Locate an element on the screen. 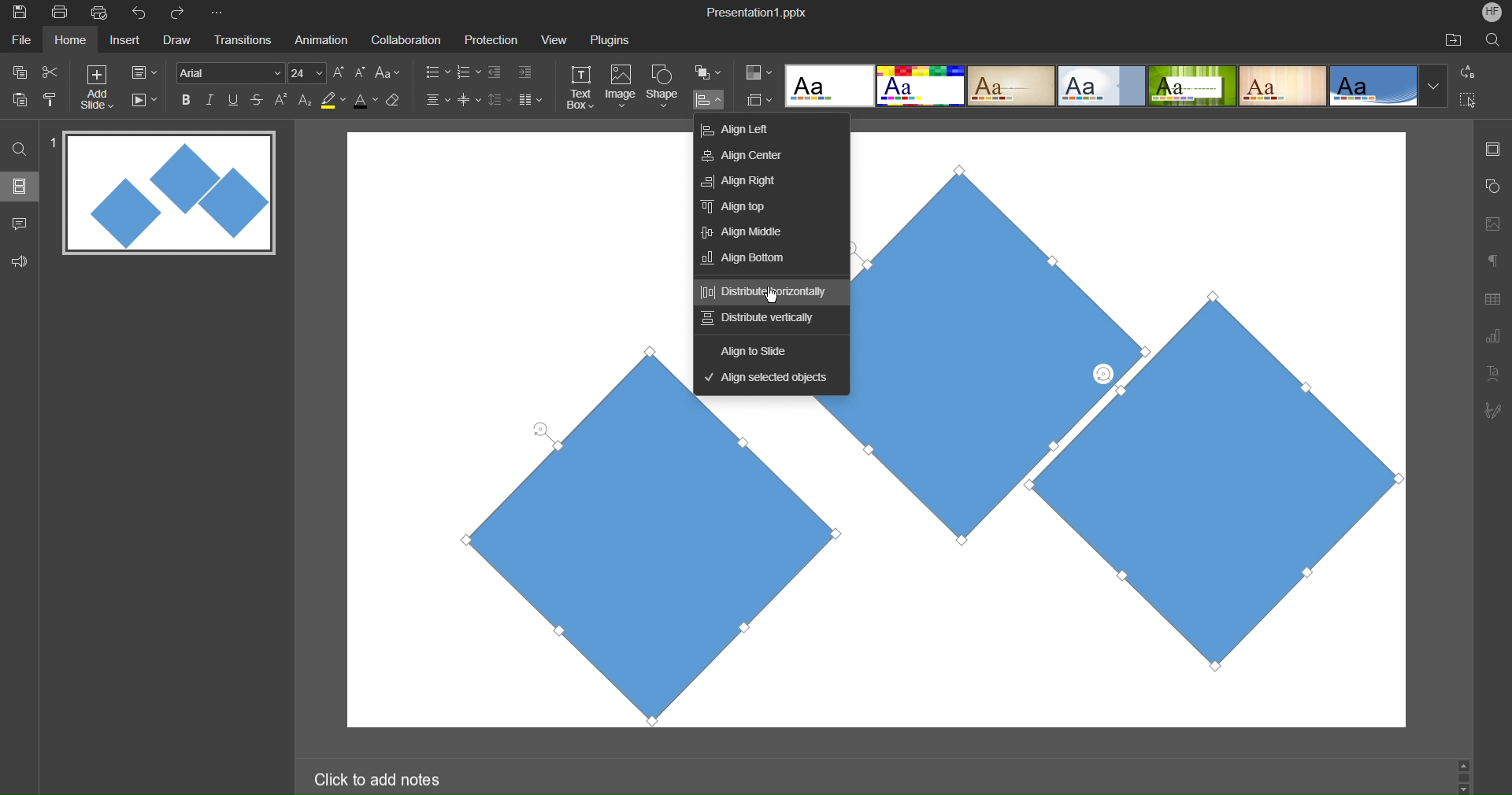  Increase Indent is located at coordinates (525, 70).